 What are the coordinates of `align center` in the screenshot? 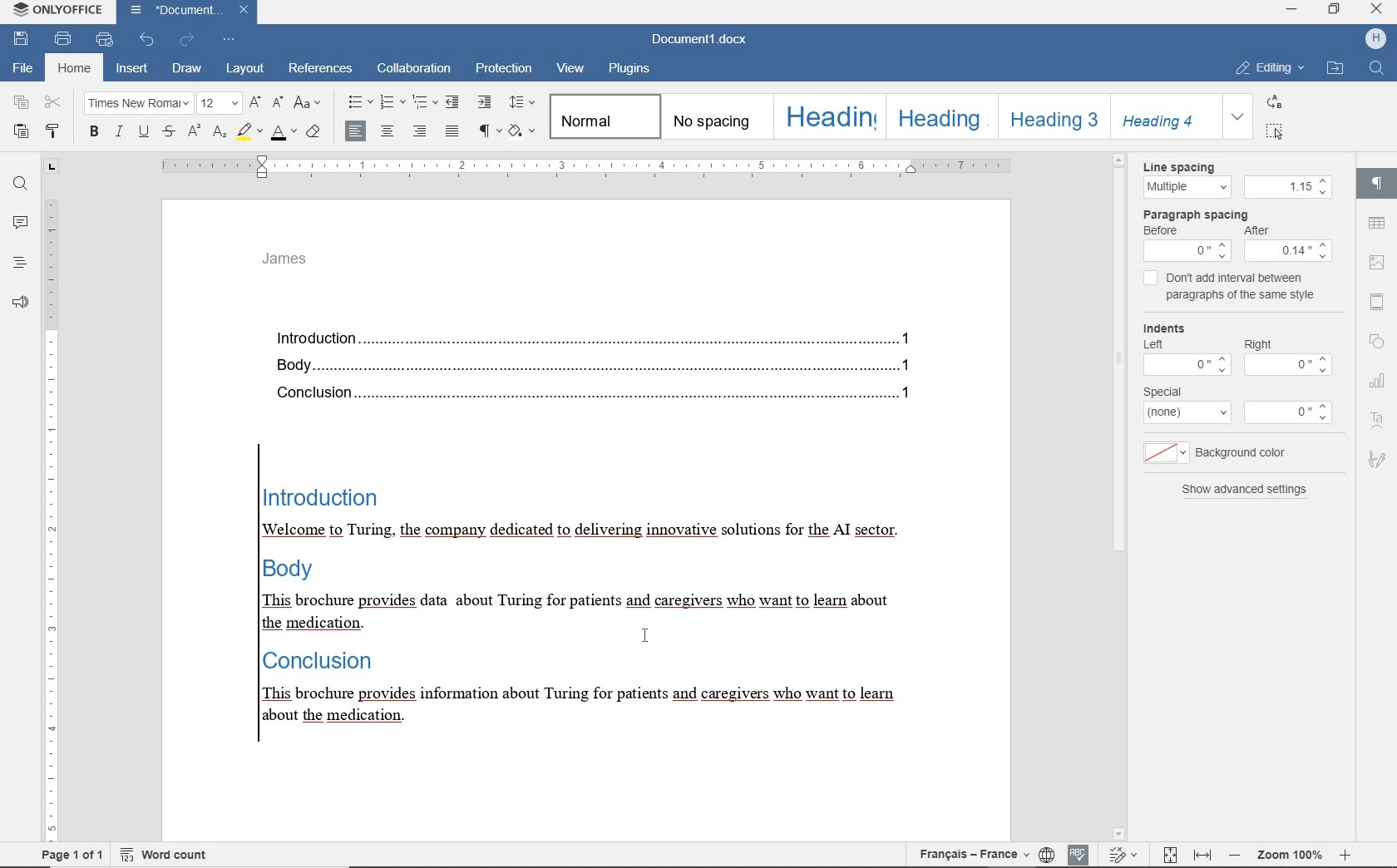 It's located at (353, 130).